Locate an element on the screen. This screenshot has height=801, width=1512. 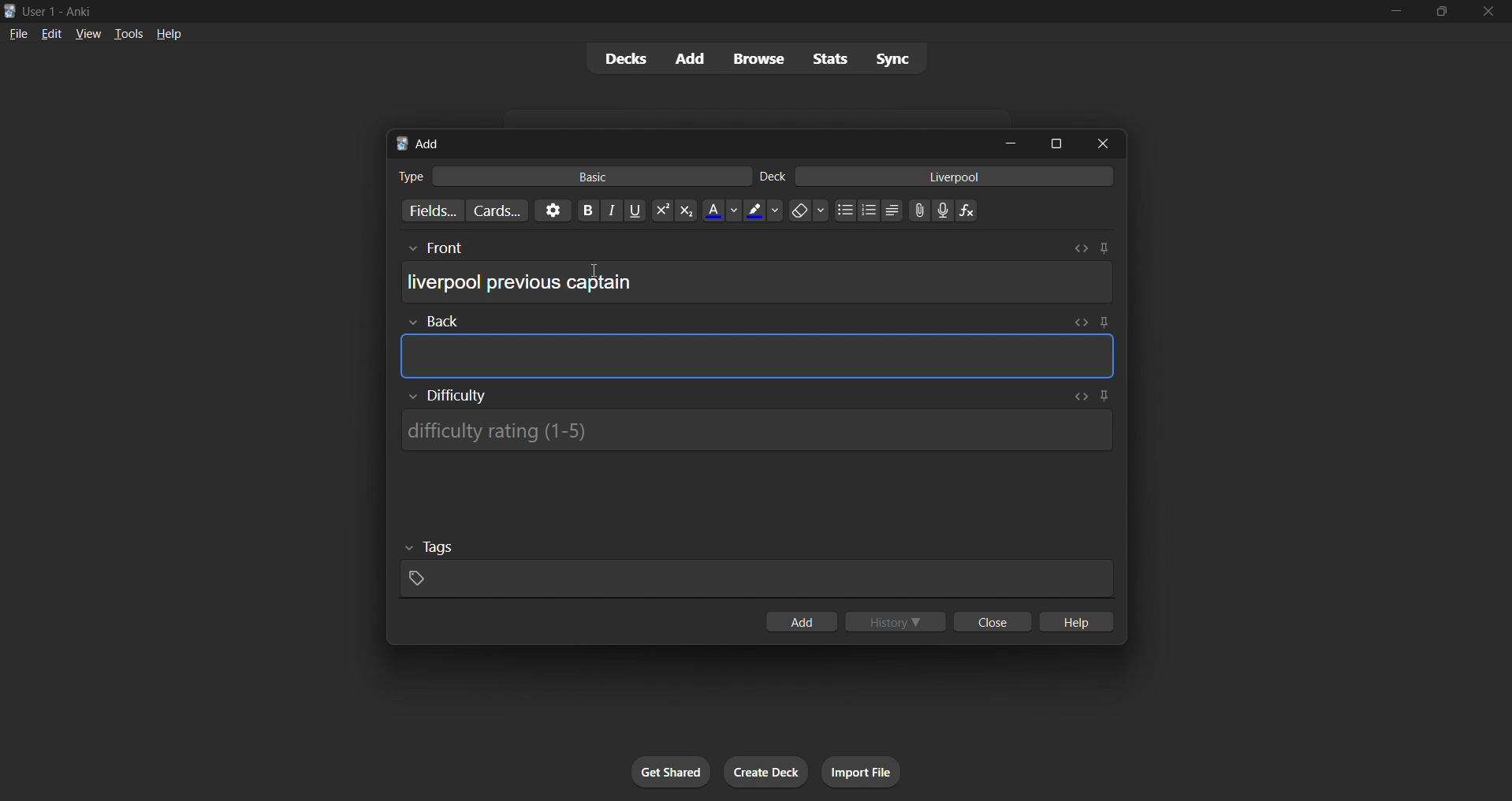
browse is located at coordinates (755, 58).